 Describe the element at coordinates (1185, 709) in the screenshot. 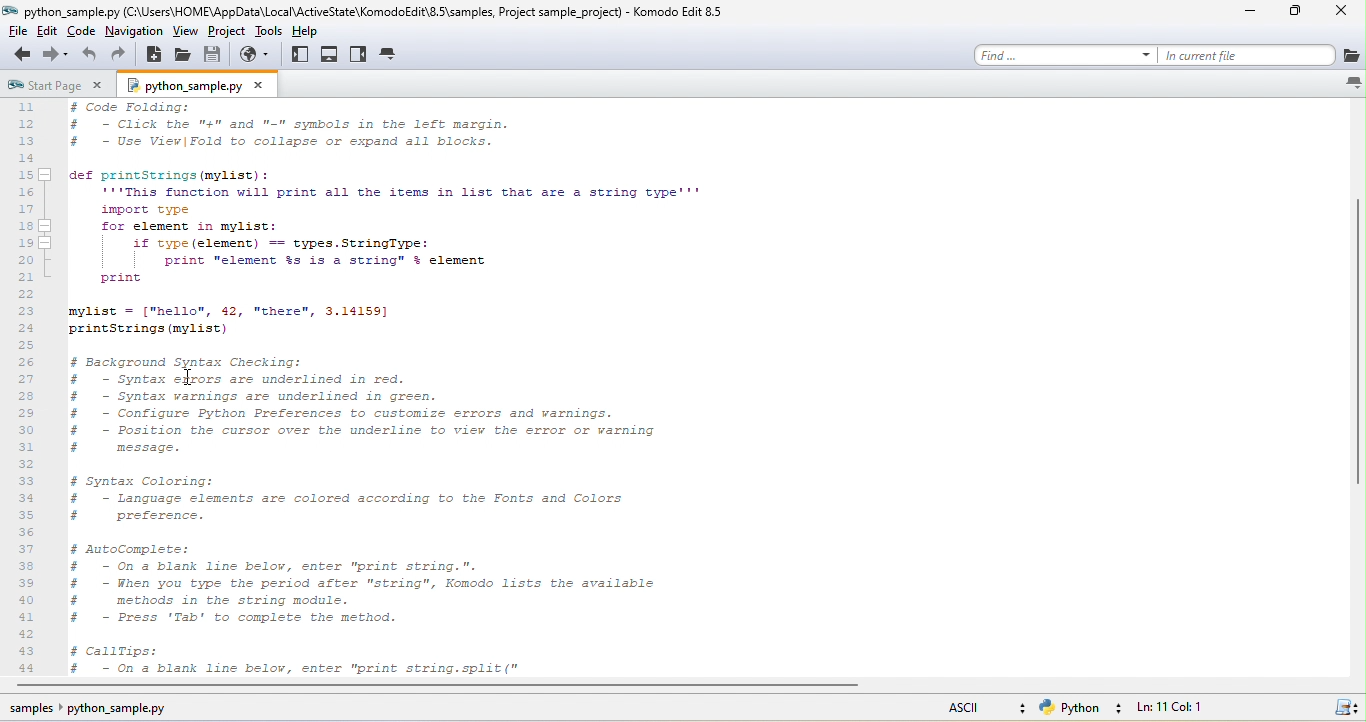

I see `ln3, col 1` at that location.